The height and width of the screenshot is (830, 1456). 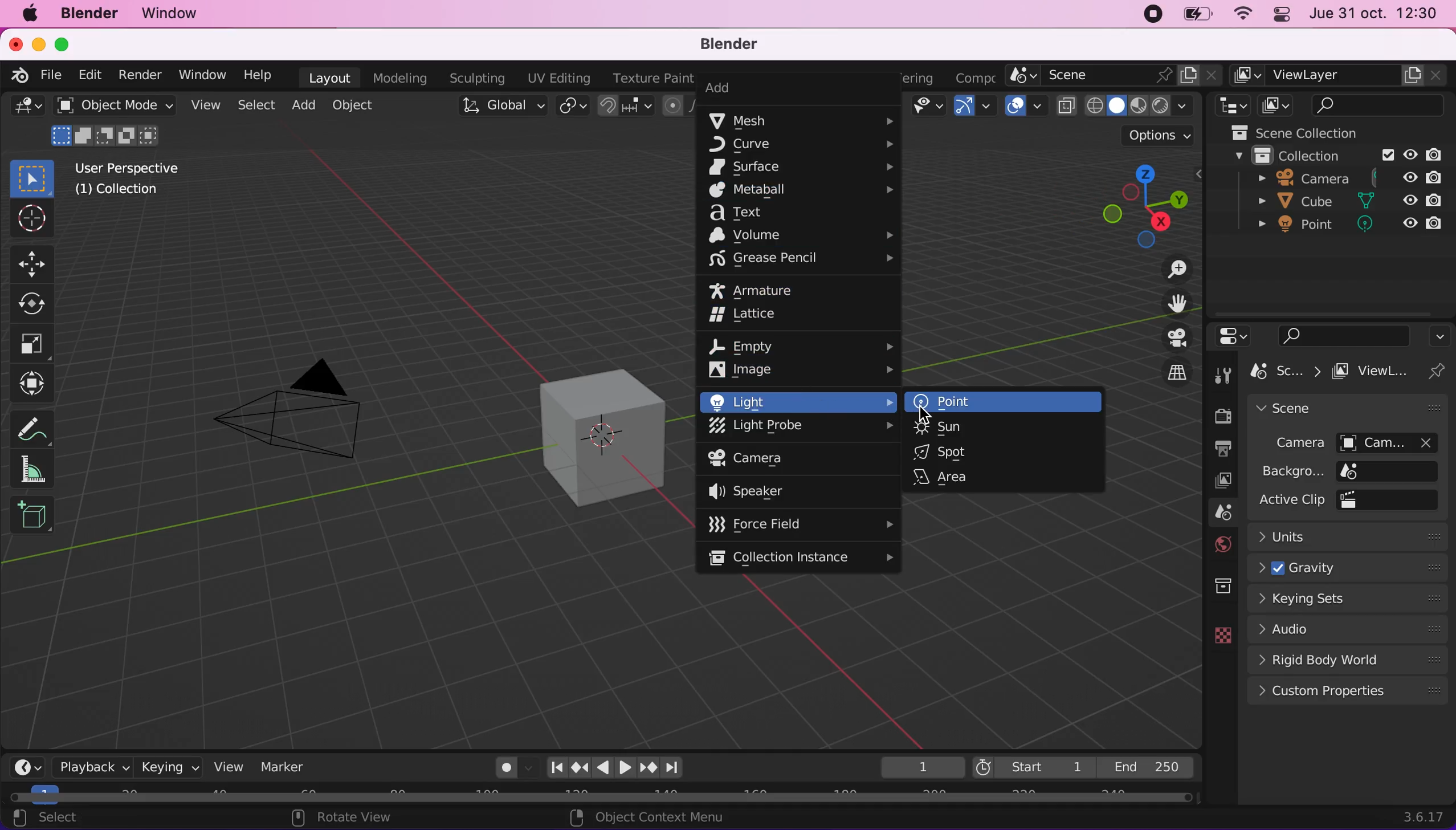 I want to click on cursor, so click(x=31, y=219).